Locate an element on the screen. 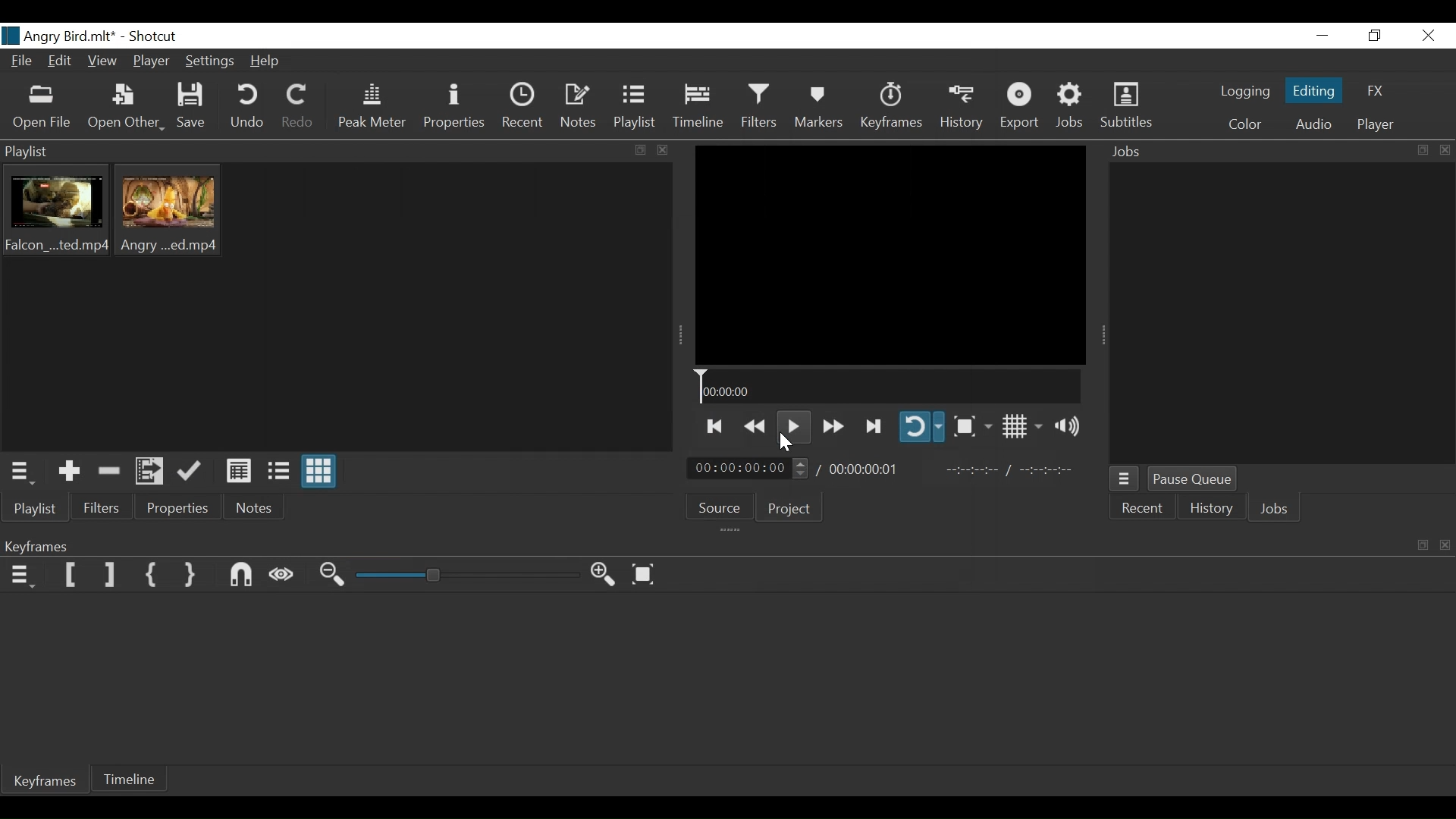  Append is located at coordinates (188, 472).